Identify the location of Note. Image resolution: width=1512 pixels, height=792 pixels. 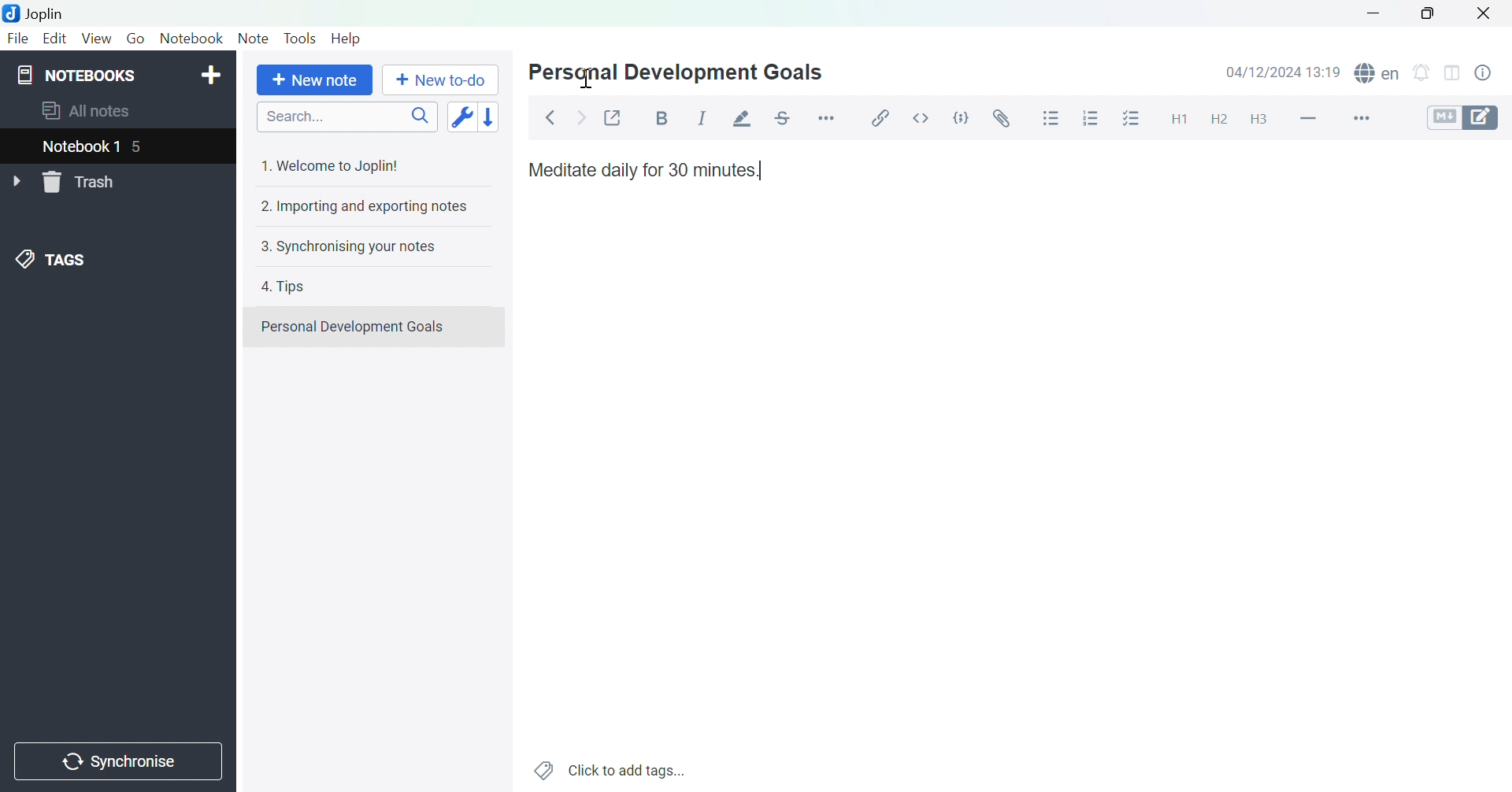
(252, 39).